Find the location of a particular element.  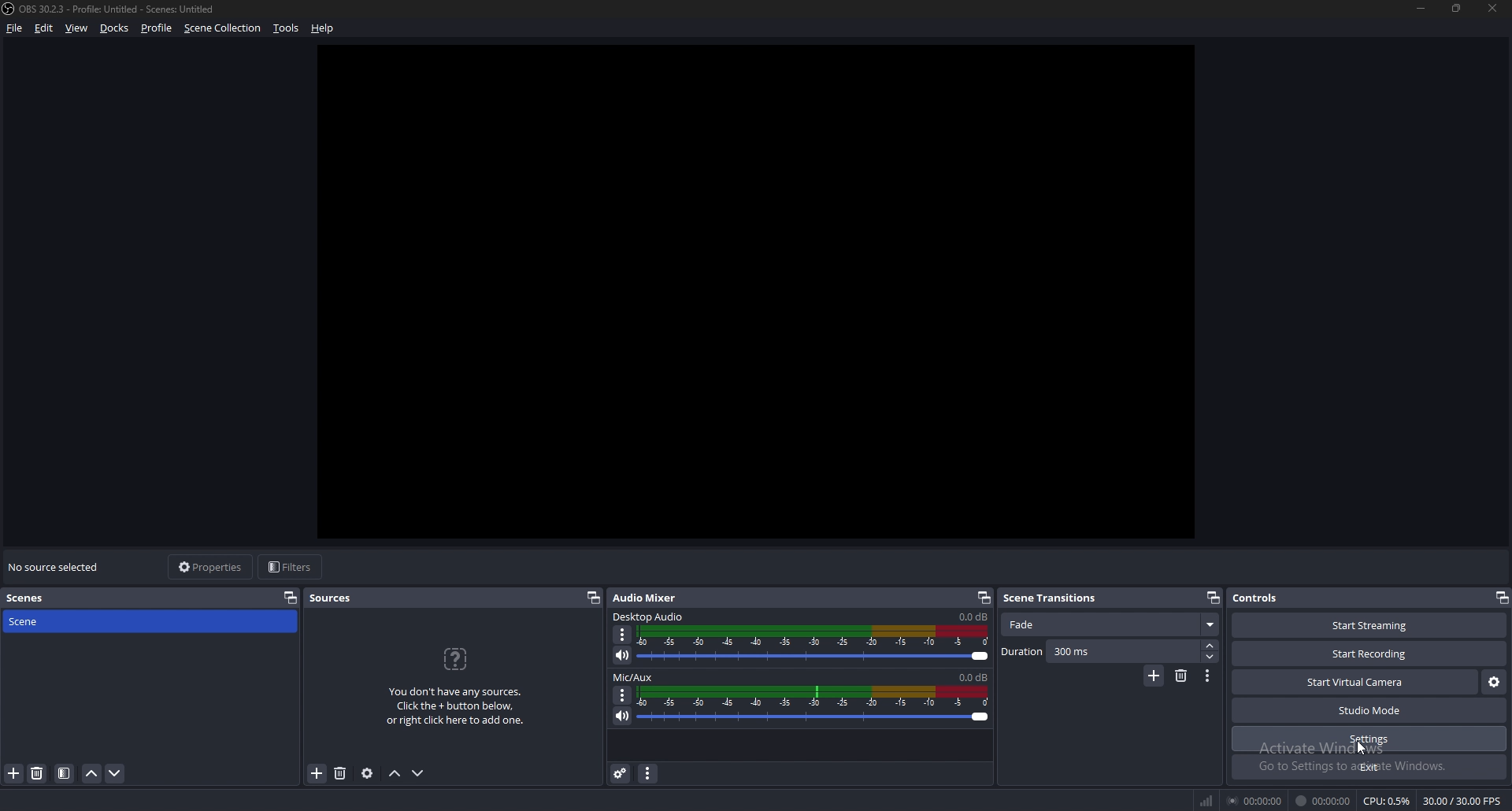

decrease duration is located at coordinates (1210, 657).